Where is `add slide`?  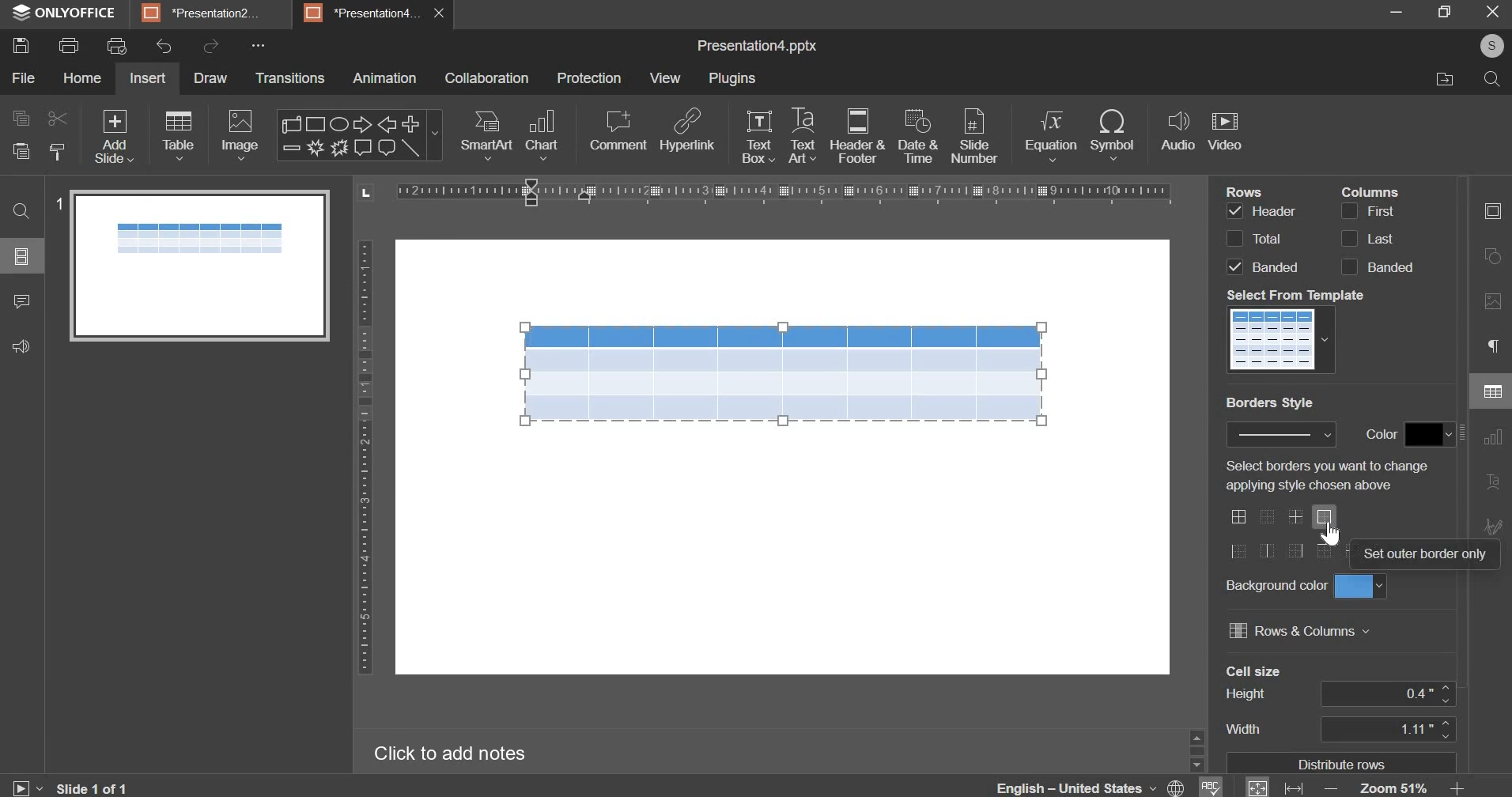 add slide is located at coordinates (114, 136).